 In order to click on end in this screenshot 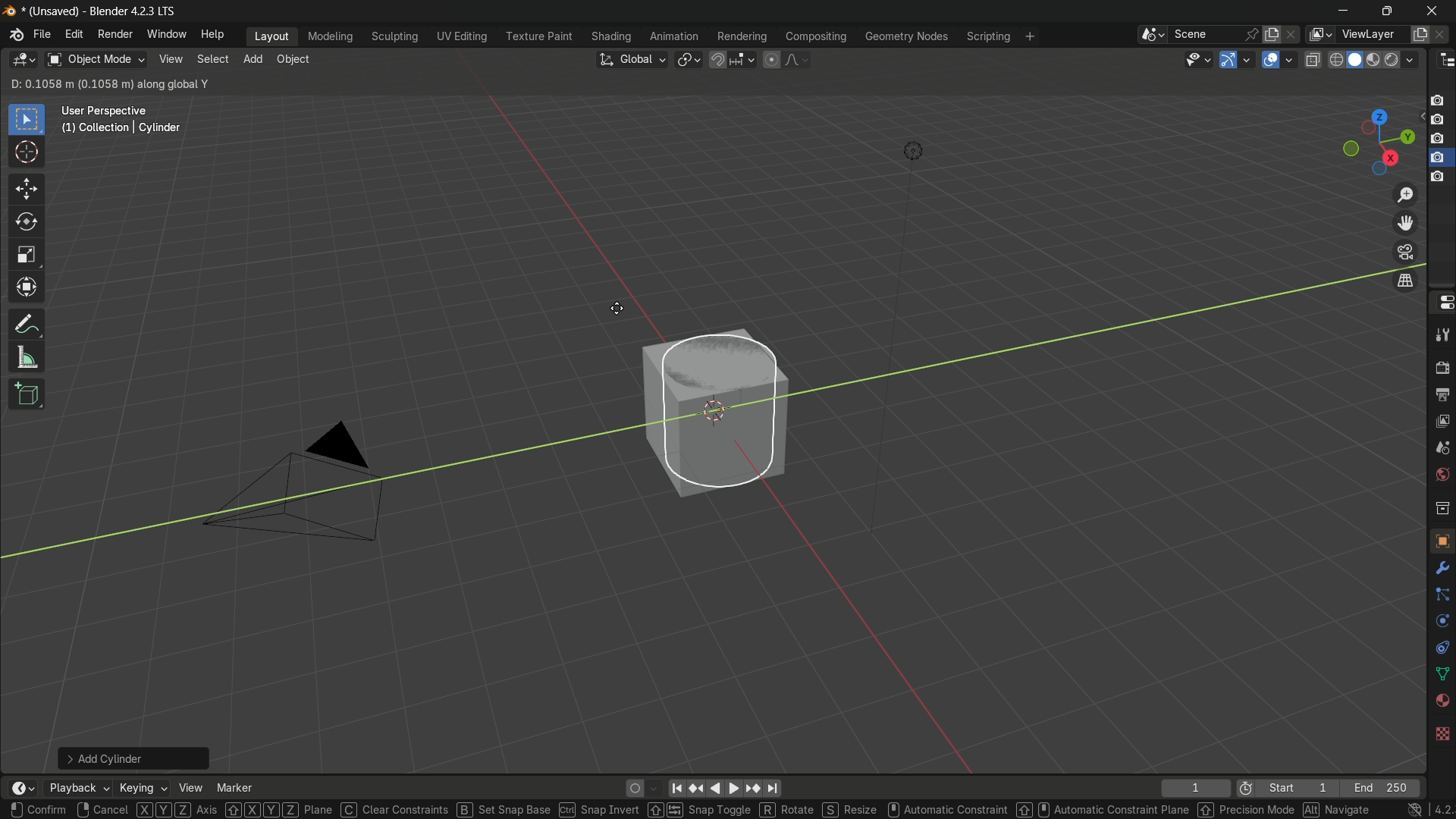, I will do `click(1386, 787)`.